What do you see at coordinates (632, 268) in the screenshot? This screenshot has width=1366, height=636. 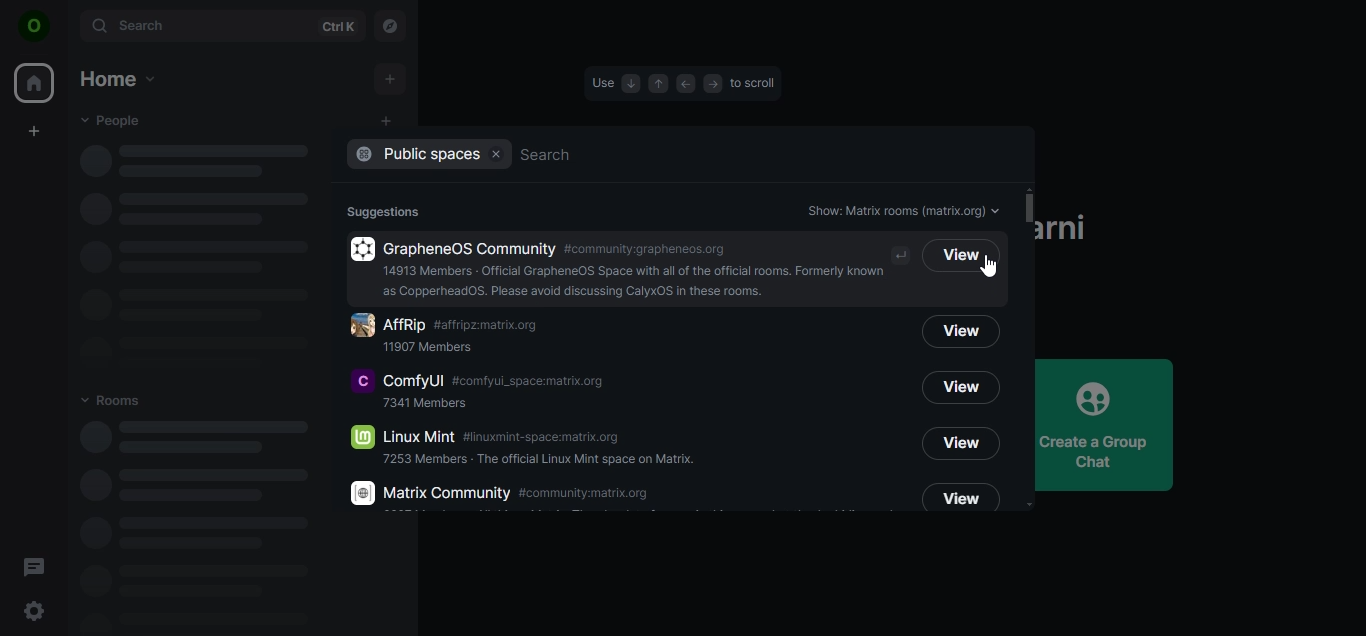 I see `GrapheneOS community` at bounding box center [632, 268].